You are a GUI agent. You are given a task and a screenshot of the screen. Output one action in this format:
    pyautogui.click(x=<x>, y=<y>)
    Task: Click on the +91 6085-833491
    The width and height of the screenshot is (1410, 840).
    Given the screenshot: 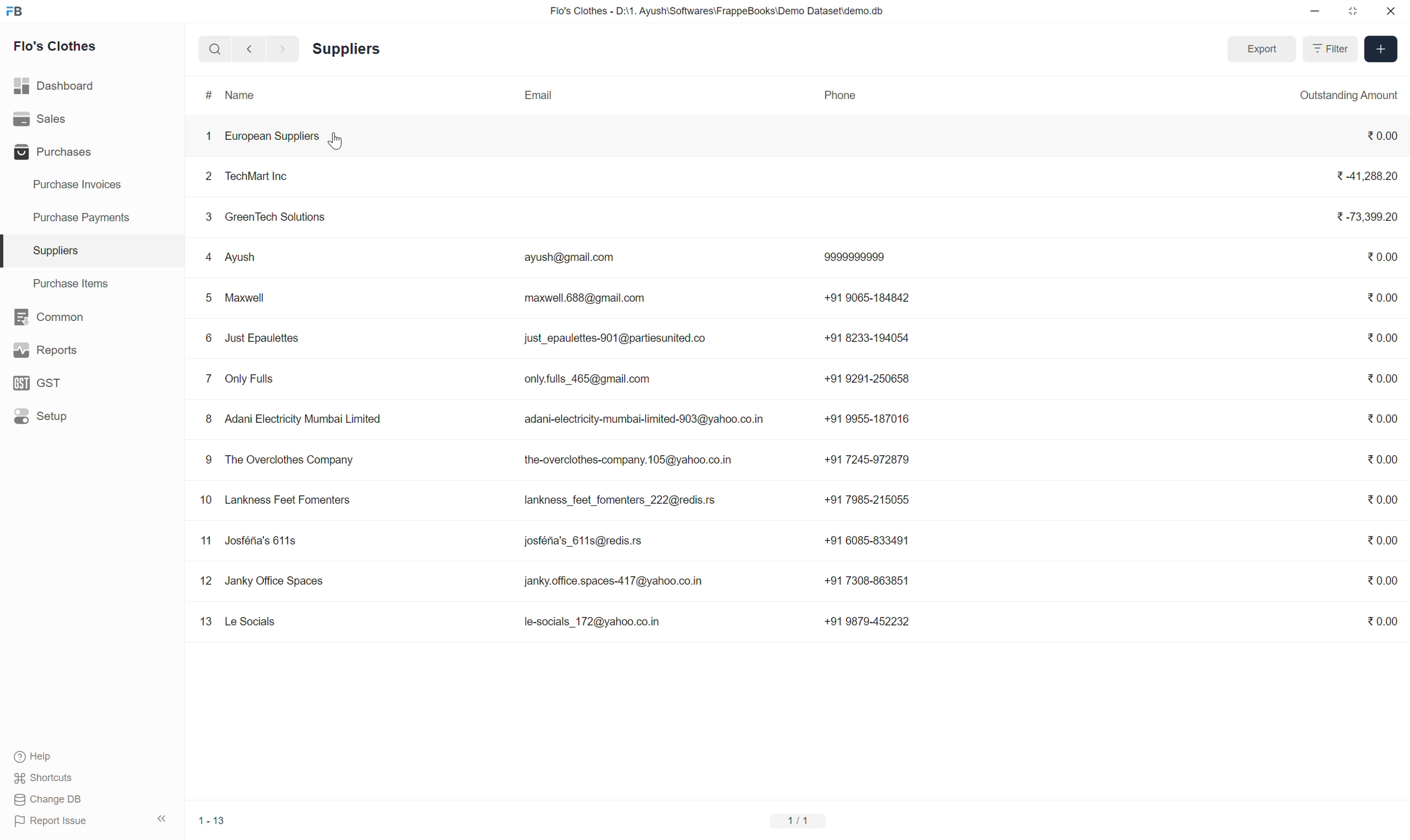 What is the action you would take?
    pyautogui.click(x=865, y=541)
    